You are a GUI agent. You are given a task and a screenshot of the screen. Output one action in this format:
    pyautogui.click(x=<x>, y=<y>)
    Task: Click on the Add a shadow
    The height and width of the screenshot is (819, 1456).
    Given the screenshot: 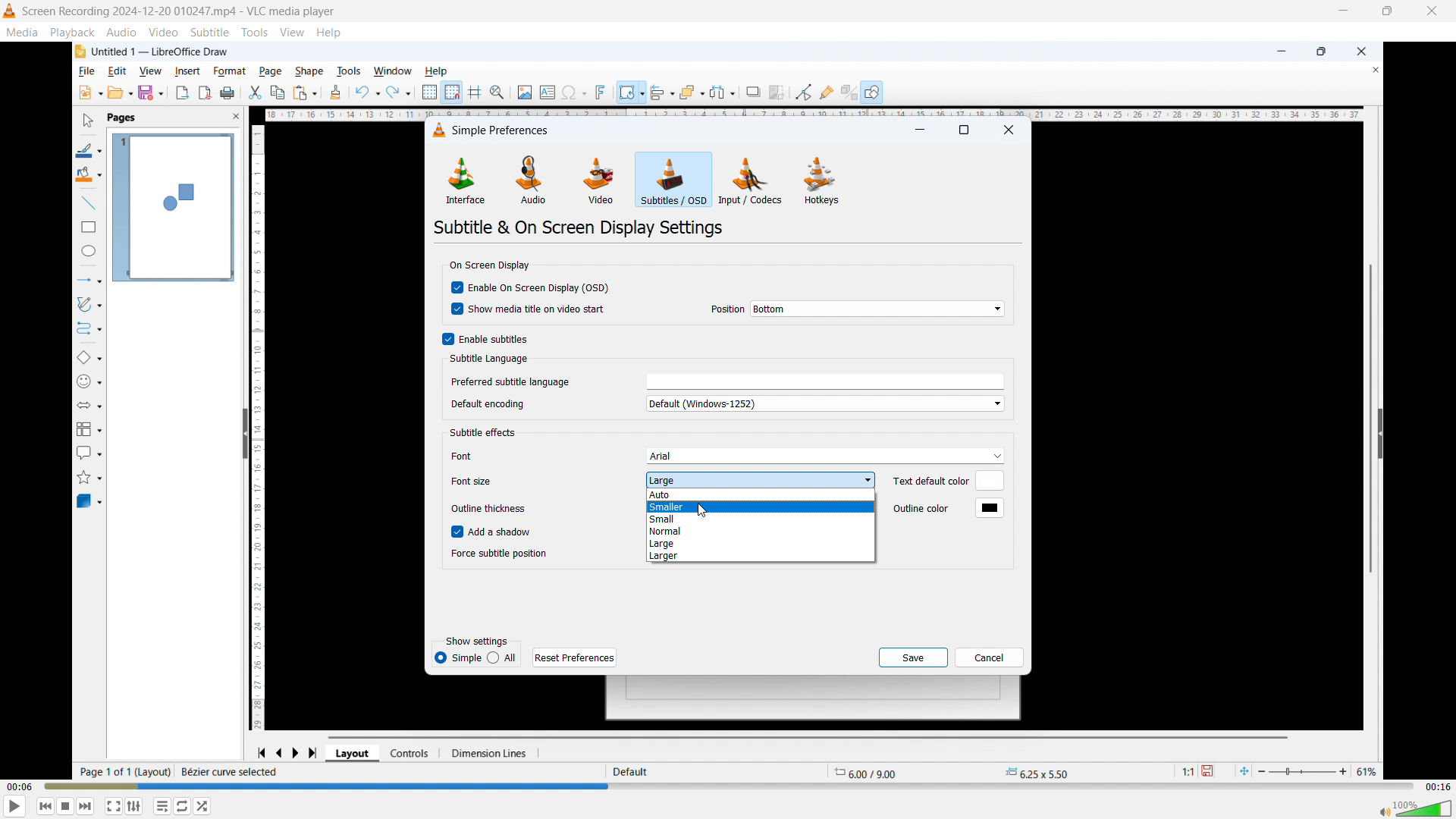 What is the action you would take?
    pyautogui.click(x=492, y=532)
    